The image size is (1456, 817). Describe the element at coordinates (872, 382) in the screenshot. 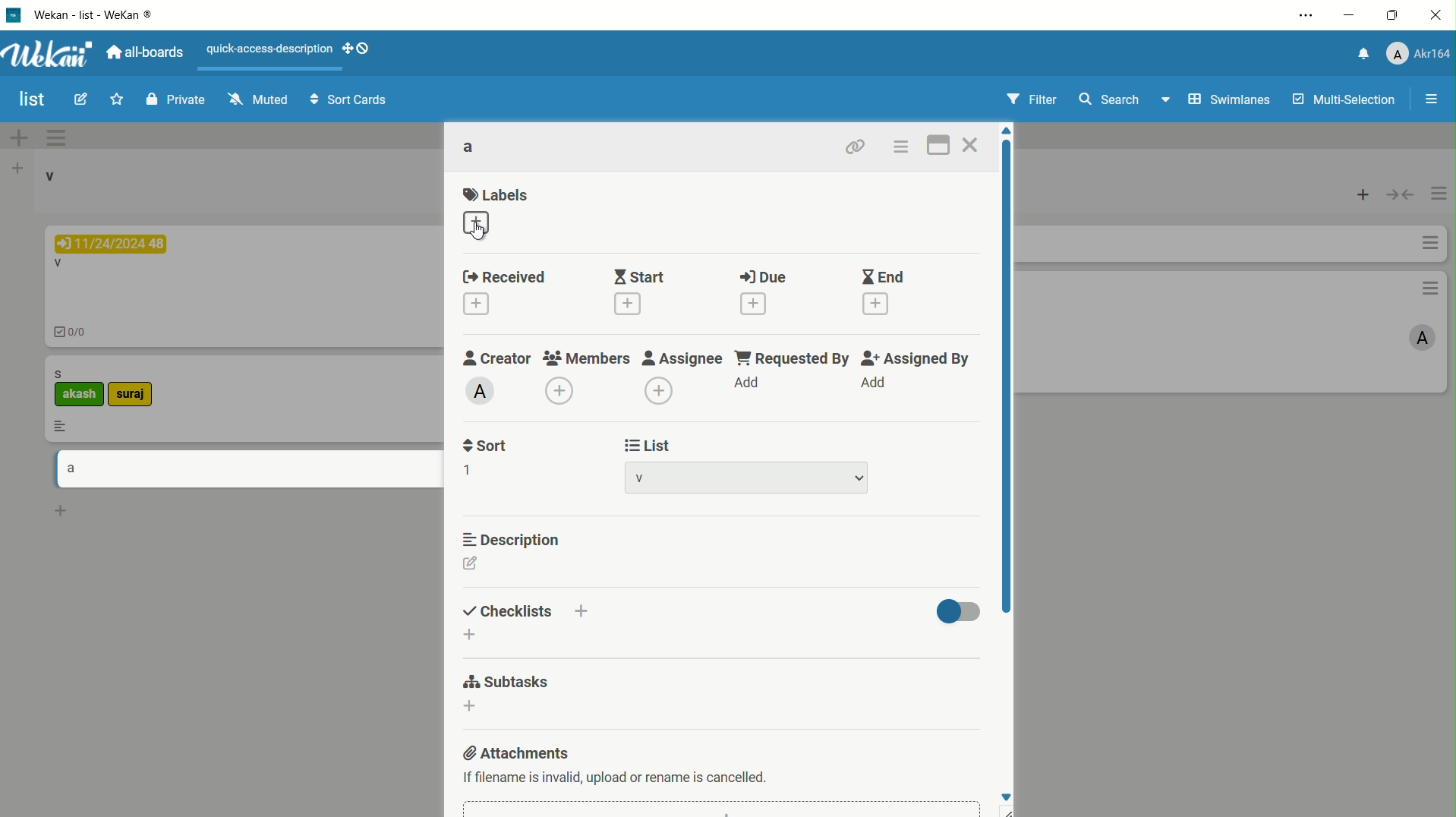

I see `add` at that location.